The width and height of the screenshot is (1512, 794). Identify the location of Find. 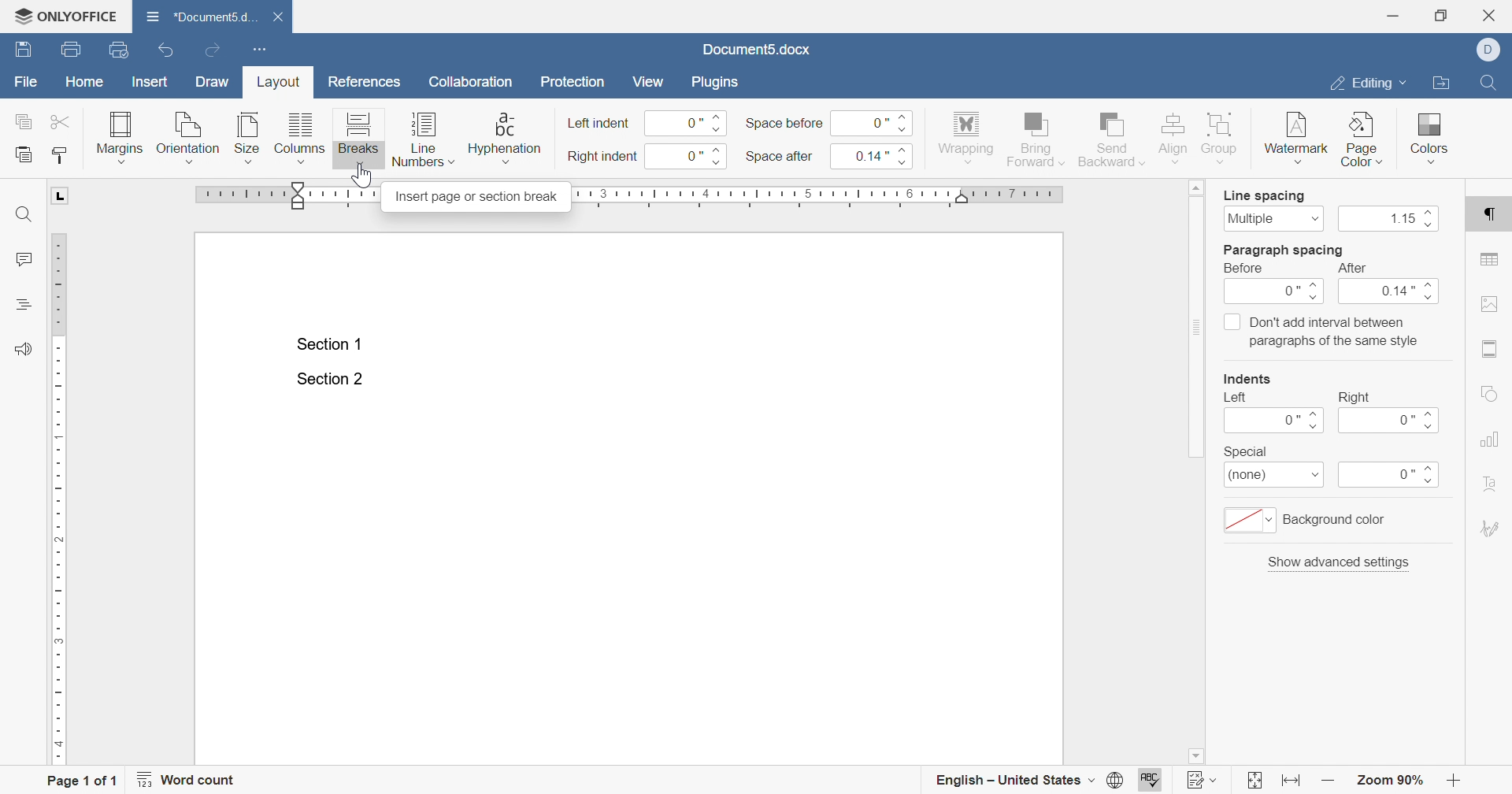
(1487, 82).